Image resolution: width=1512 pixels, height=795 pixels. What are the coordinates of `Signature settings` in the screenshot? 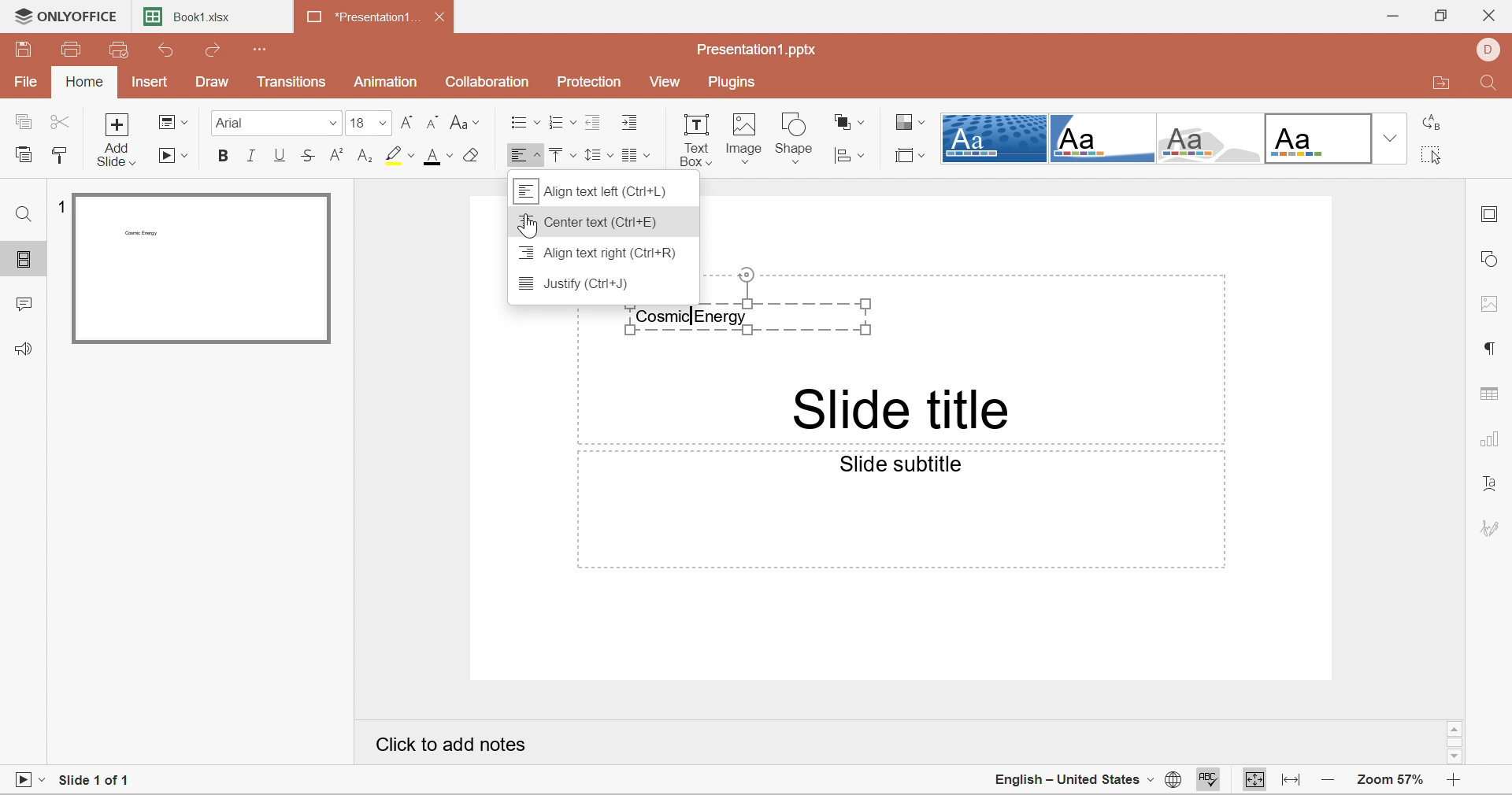 It's located at (1494, 527).